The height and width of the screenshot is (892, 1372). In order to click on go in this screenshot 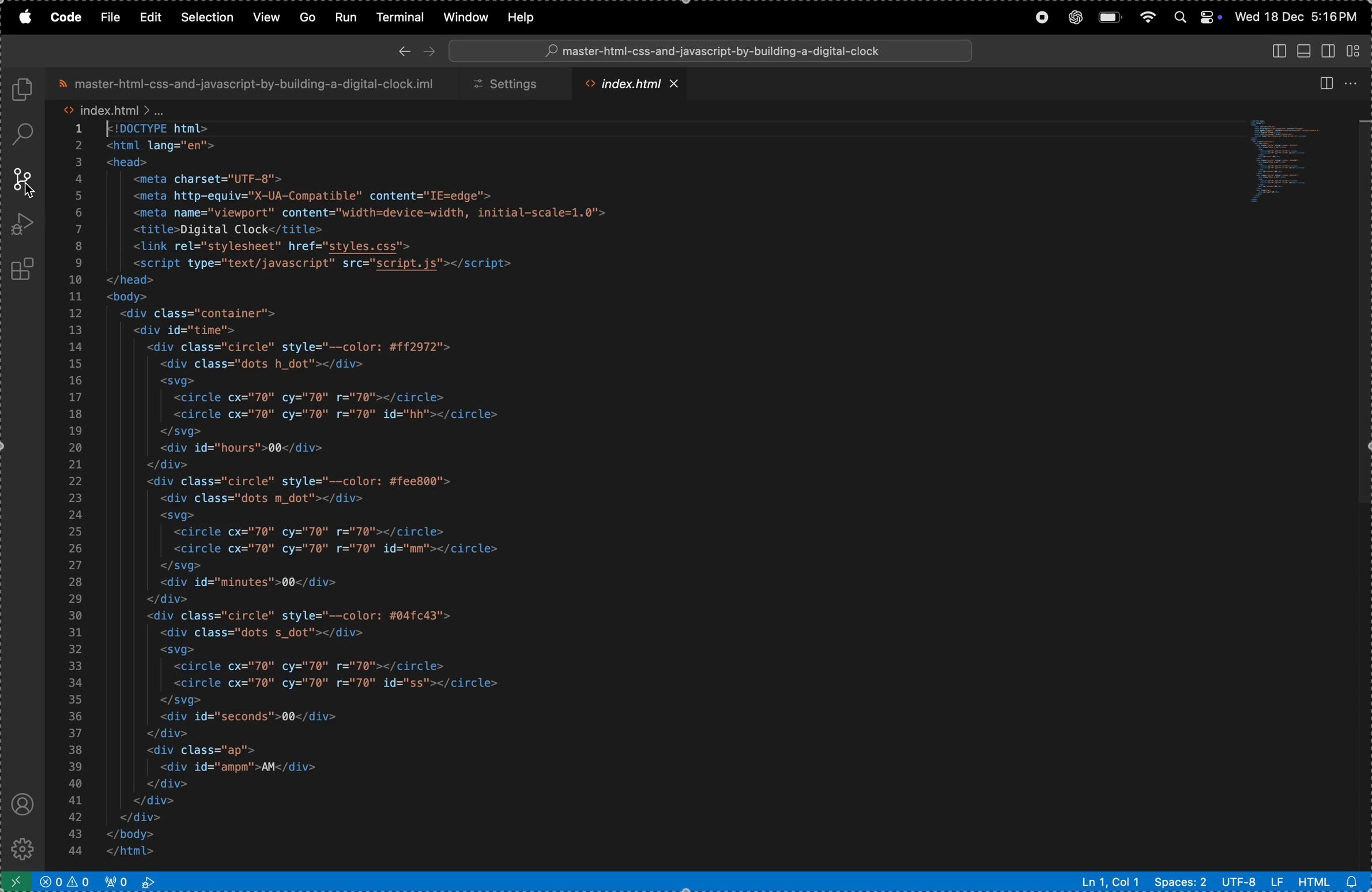, I will do `click(307, 17)`.